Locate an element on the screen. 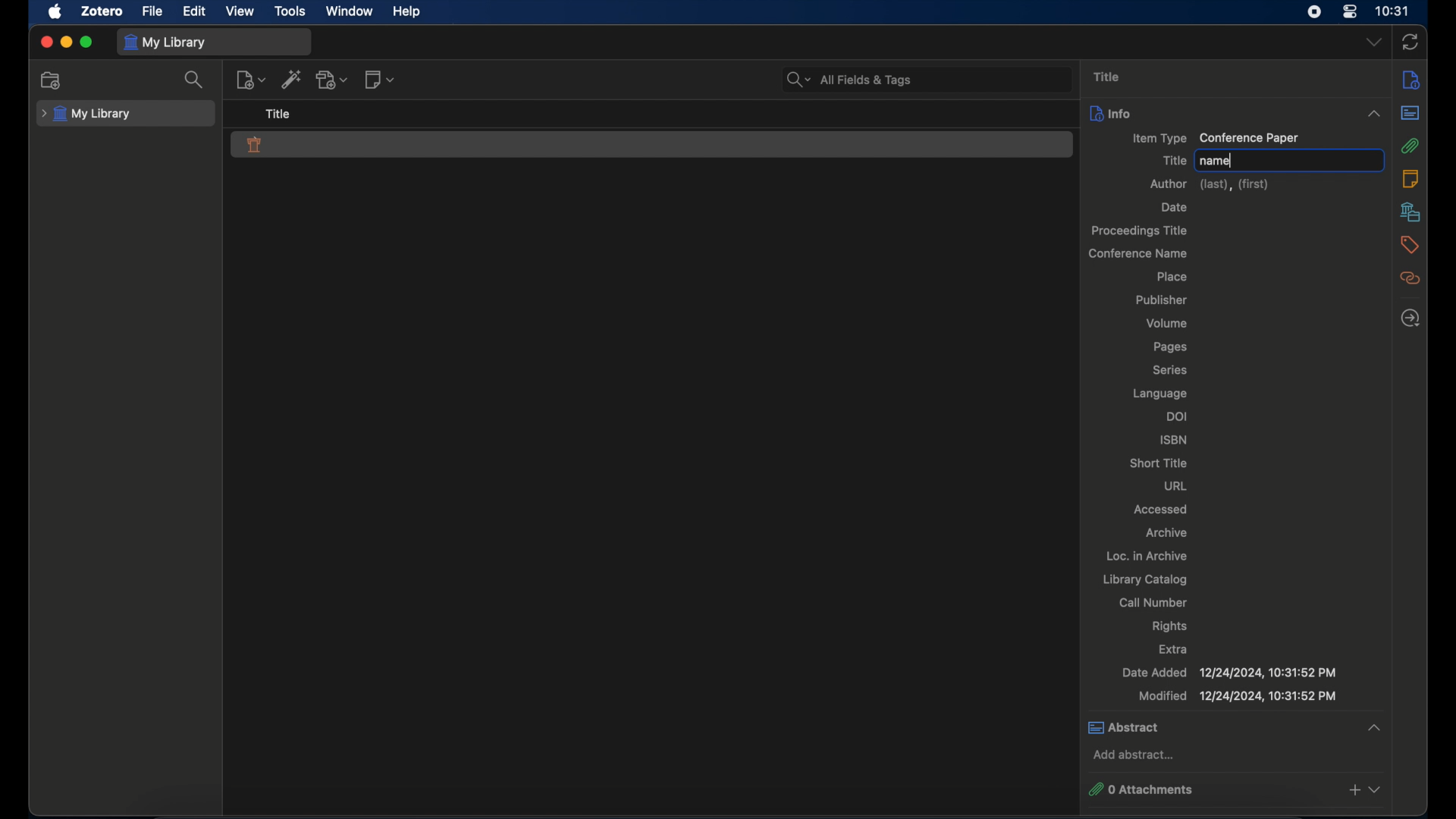  minimize is located at coordinates (65, 42).